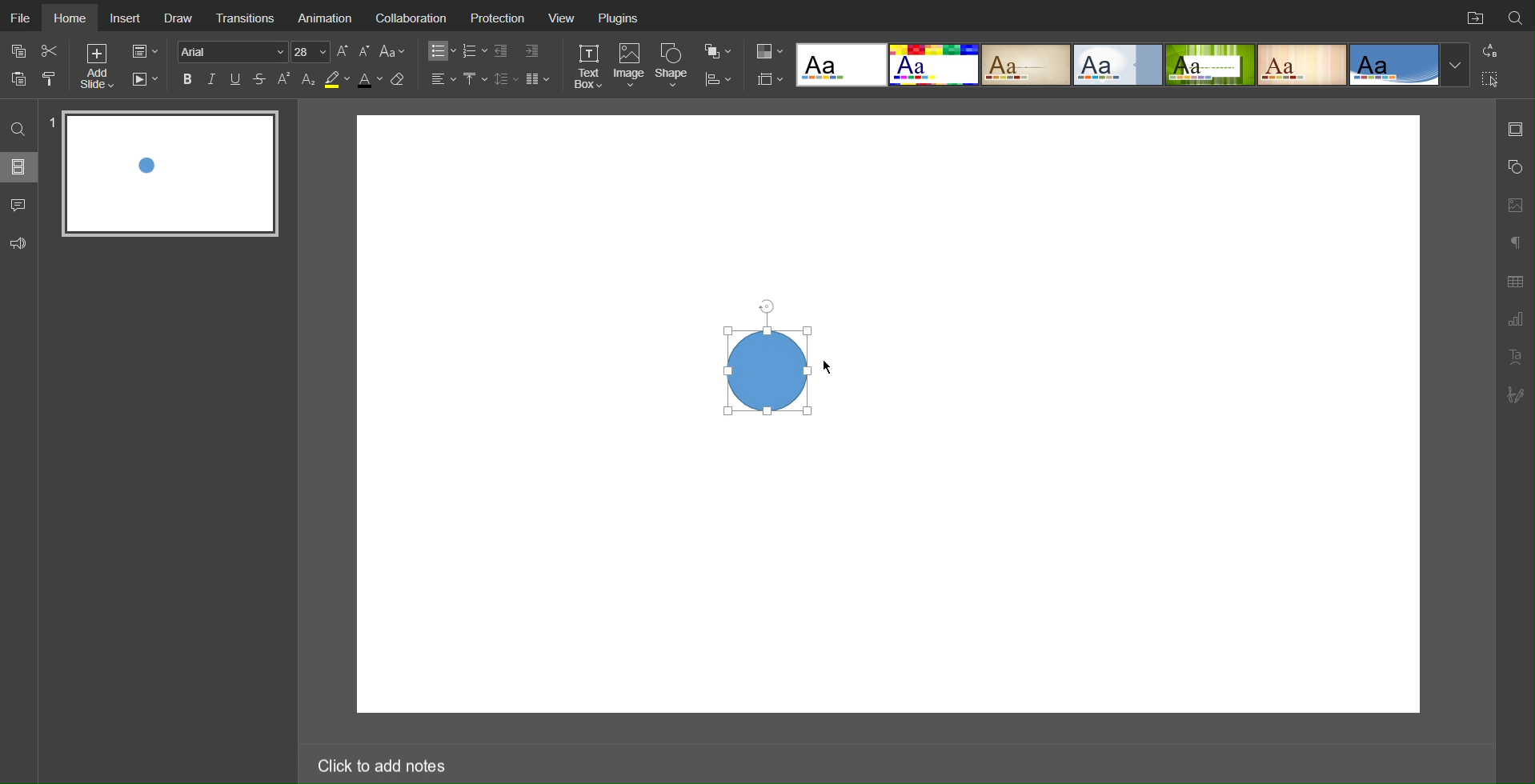 The image size is (1535, 784). I want to click on Increase Indent, so click(531, 52).